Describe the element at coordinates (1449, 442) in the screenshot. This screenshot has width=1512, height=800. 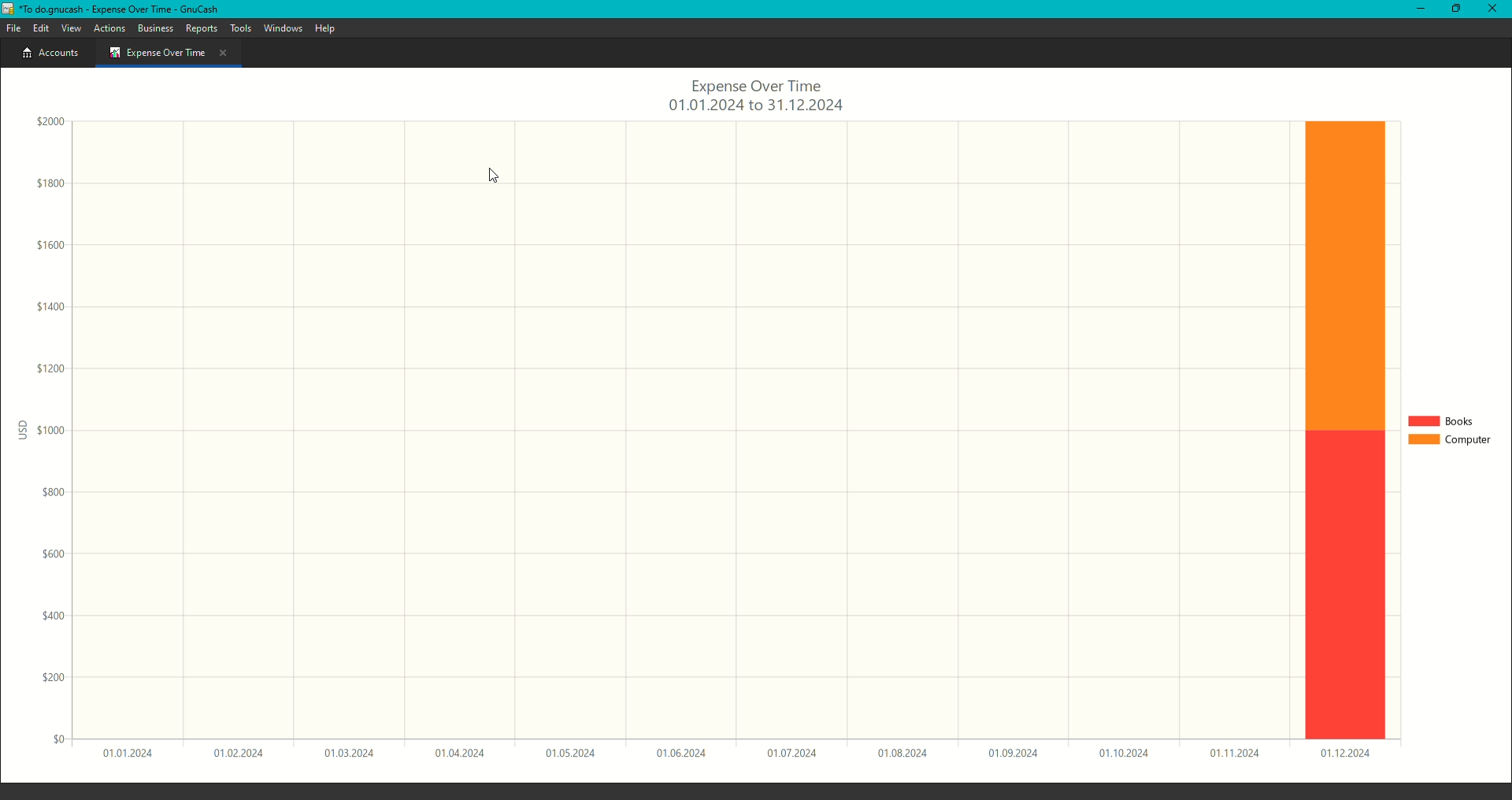
I see `Computer` at that location.